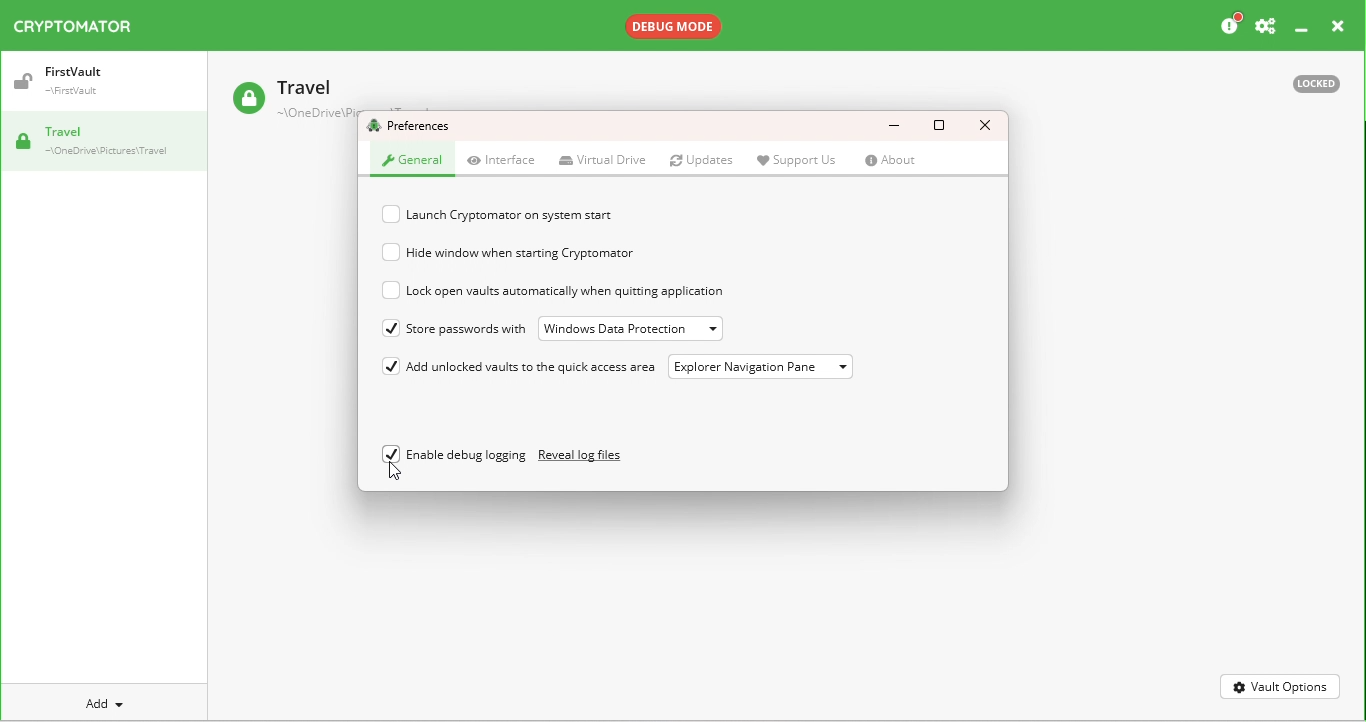 The image size is (1366, 722). Describe the element at coordinates (393, 215) in the screenshot. I see `Checkbox` at that location.